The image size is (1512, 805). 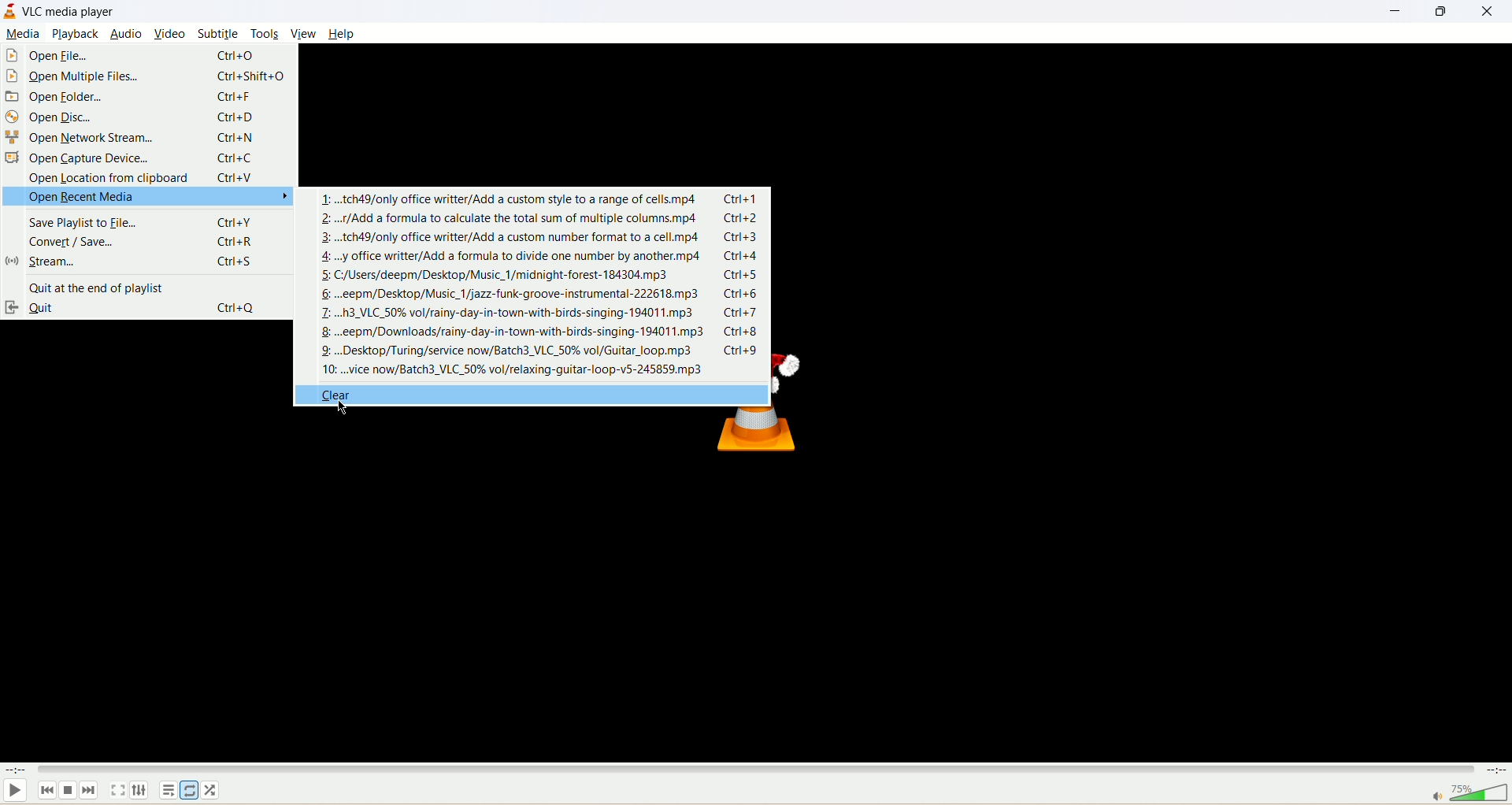 What do you see at coordinates (235, 242) in the screenshot?
I see `ctrl+R` at bounding box center [235, 242].